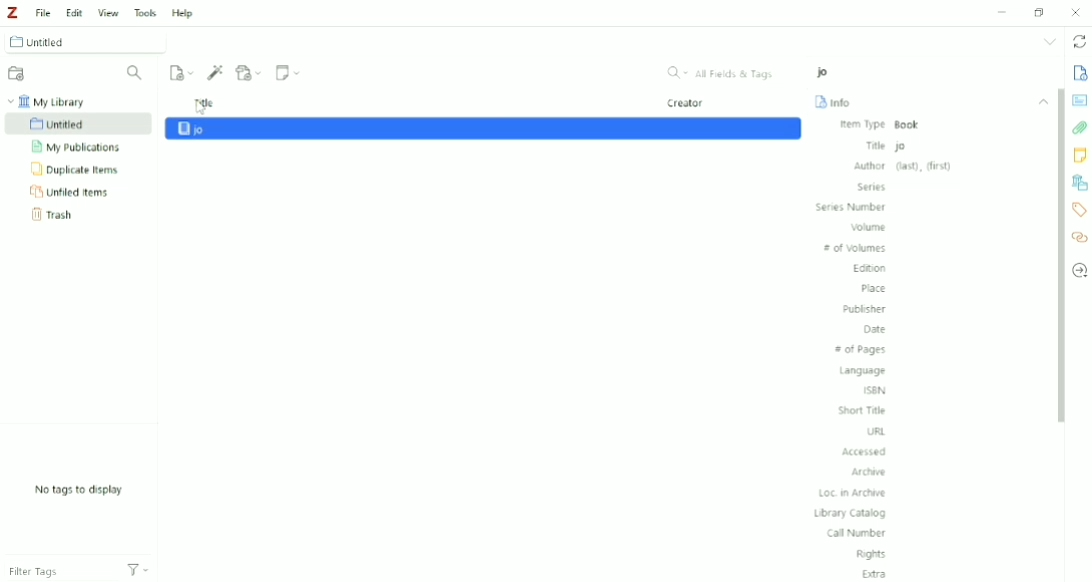 This screenshot has width=1092, height=582. What do you see at coordinates (1003, 13) in the screenshot?
I see `Minimize` at bounding box center [1003, 13].